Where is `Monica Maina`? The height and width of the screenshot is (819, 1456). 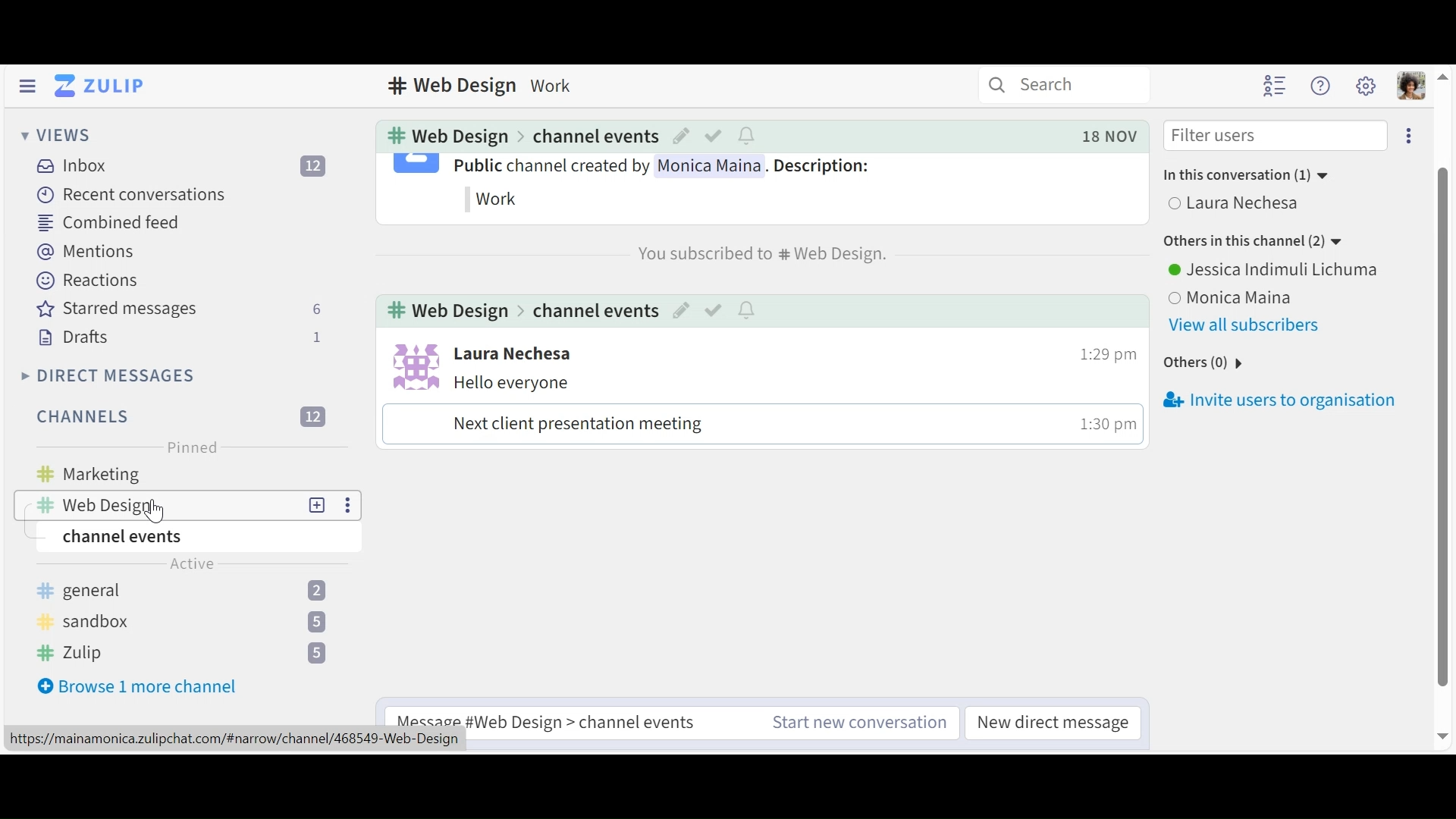
Monica Maina is located at coordinates (1232, 297).